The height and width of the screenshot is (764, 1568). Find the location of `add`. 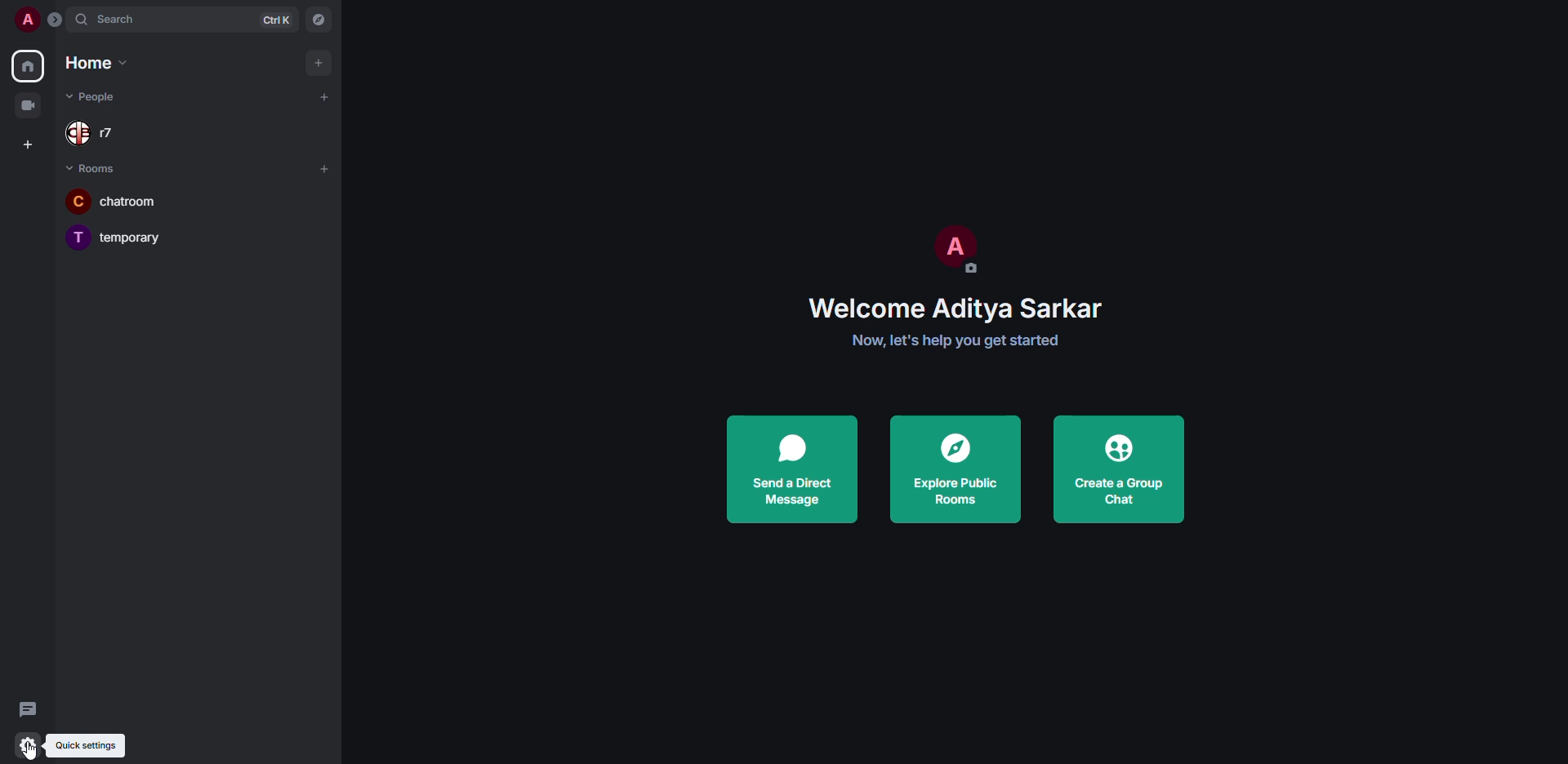

add is located at coordinates (327, 169).